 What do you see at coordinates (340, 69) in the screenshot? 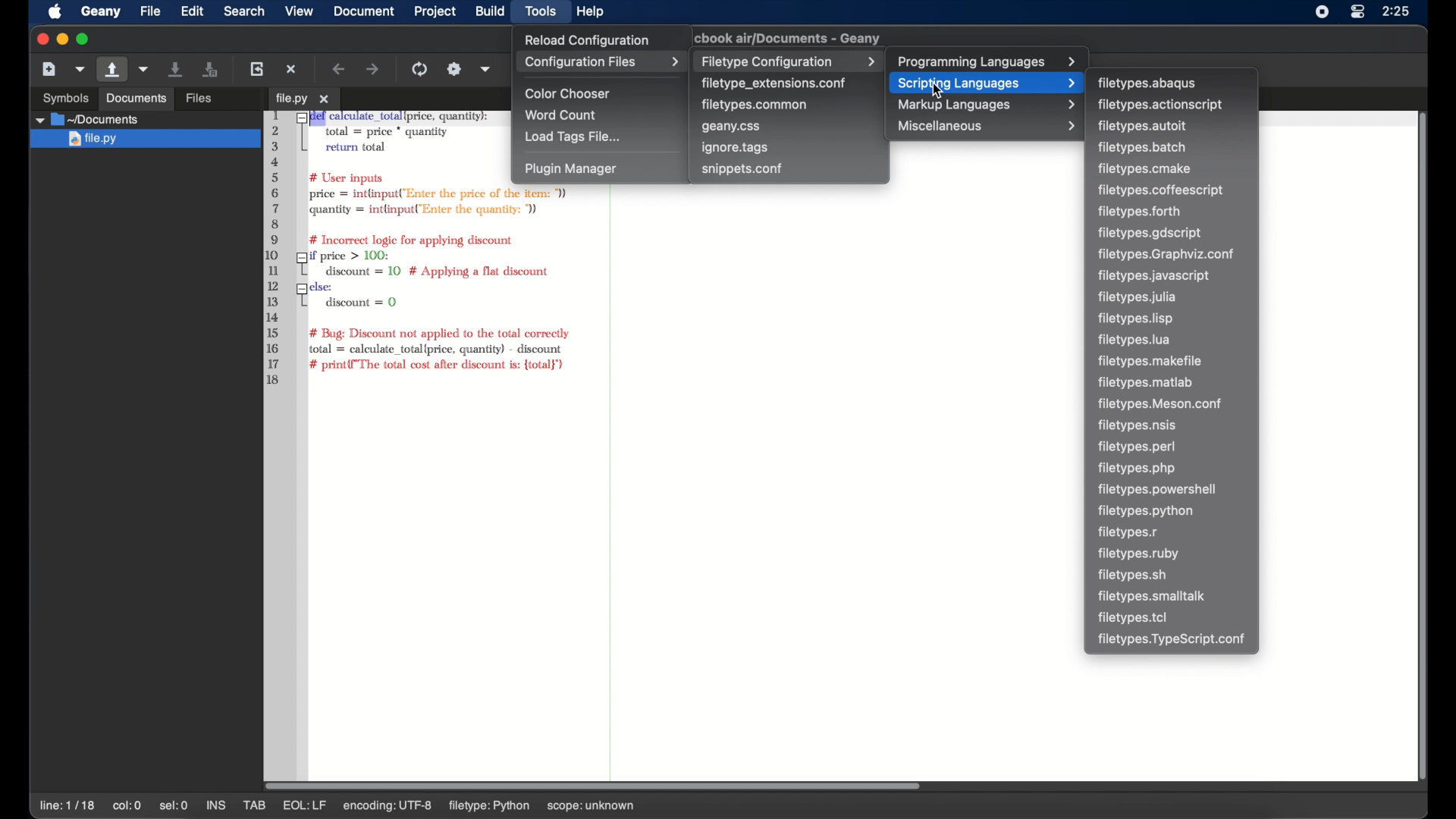
I see `navigate backward a location` at bounding box center [340, 69].